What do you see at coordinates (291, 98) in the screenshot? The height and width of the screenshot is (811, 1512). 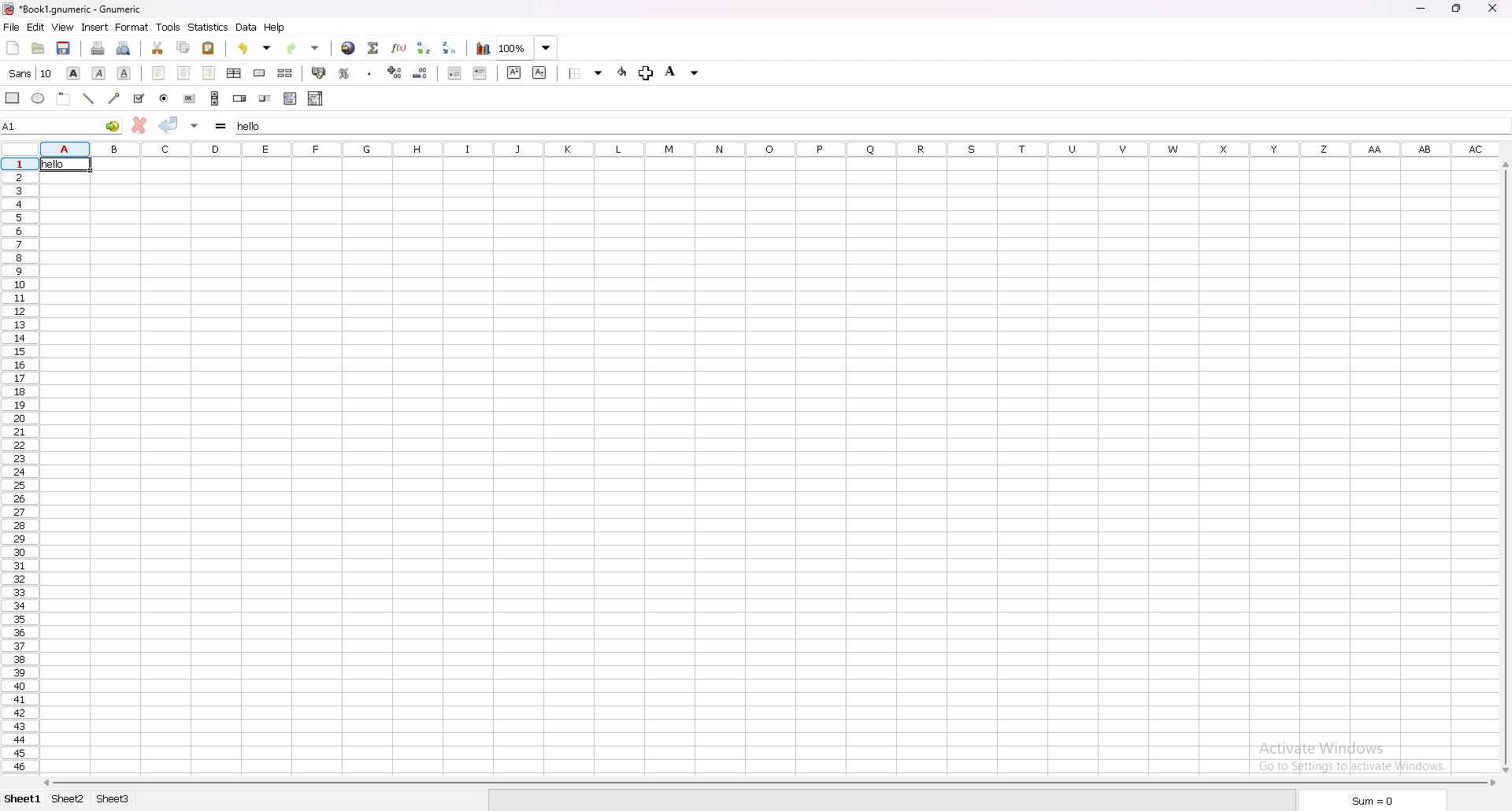 I see `list` at bounding box center [291, 98].